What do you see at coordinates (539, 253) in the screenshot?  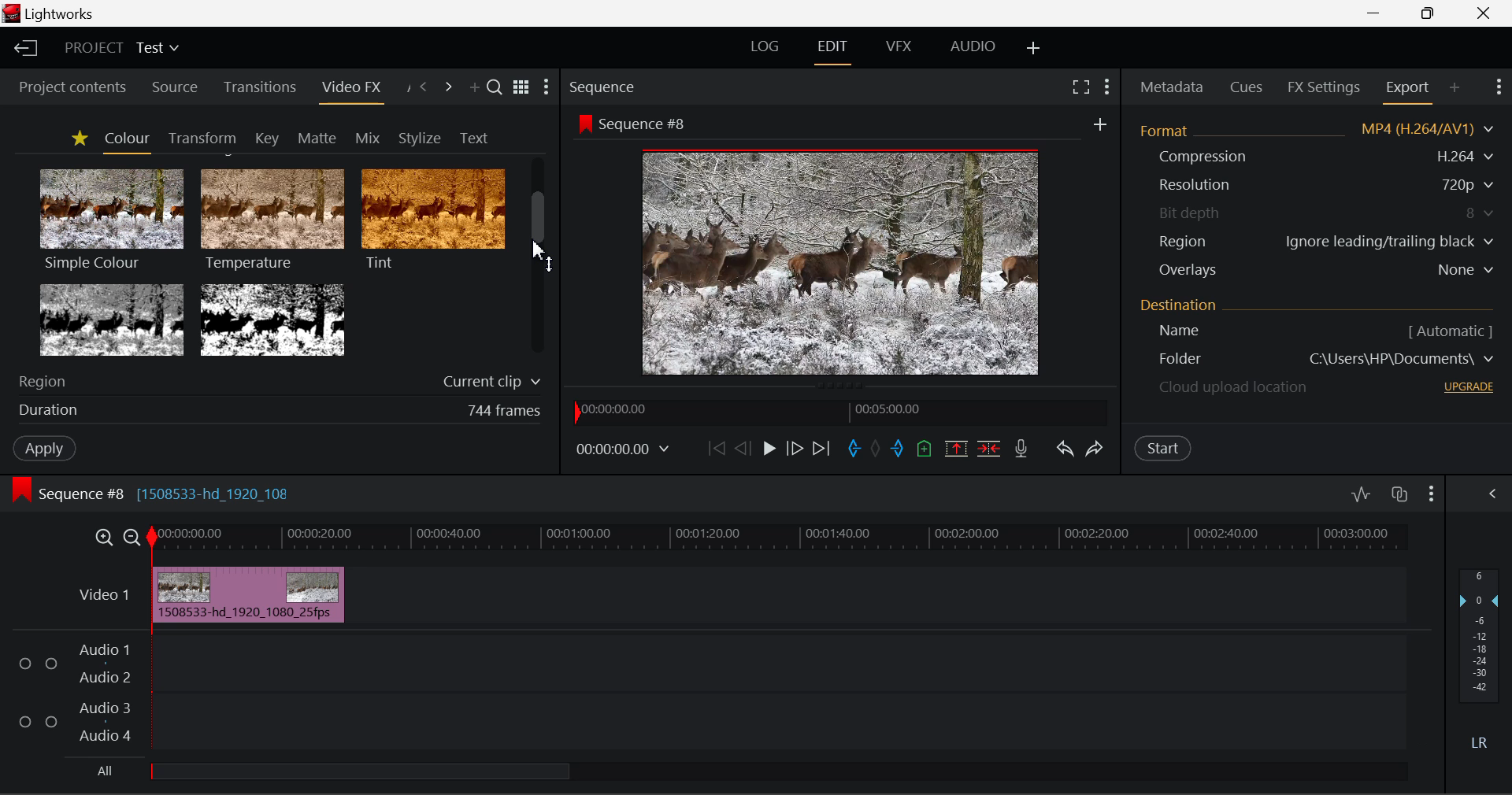 I see `MOUSE_UP Cursor Position` at bounding box center [539, 253].